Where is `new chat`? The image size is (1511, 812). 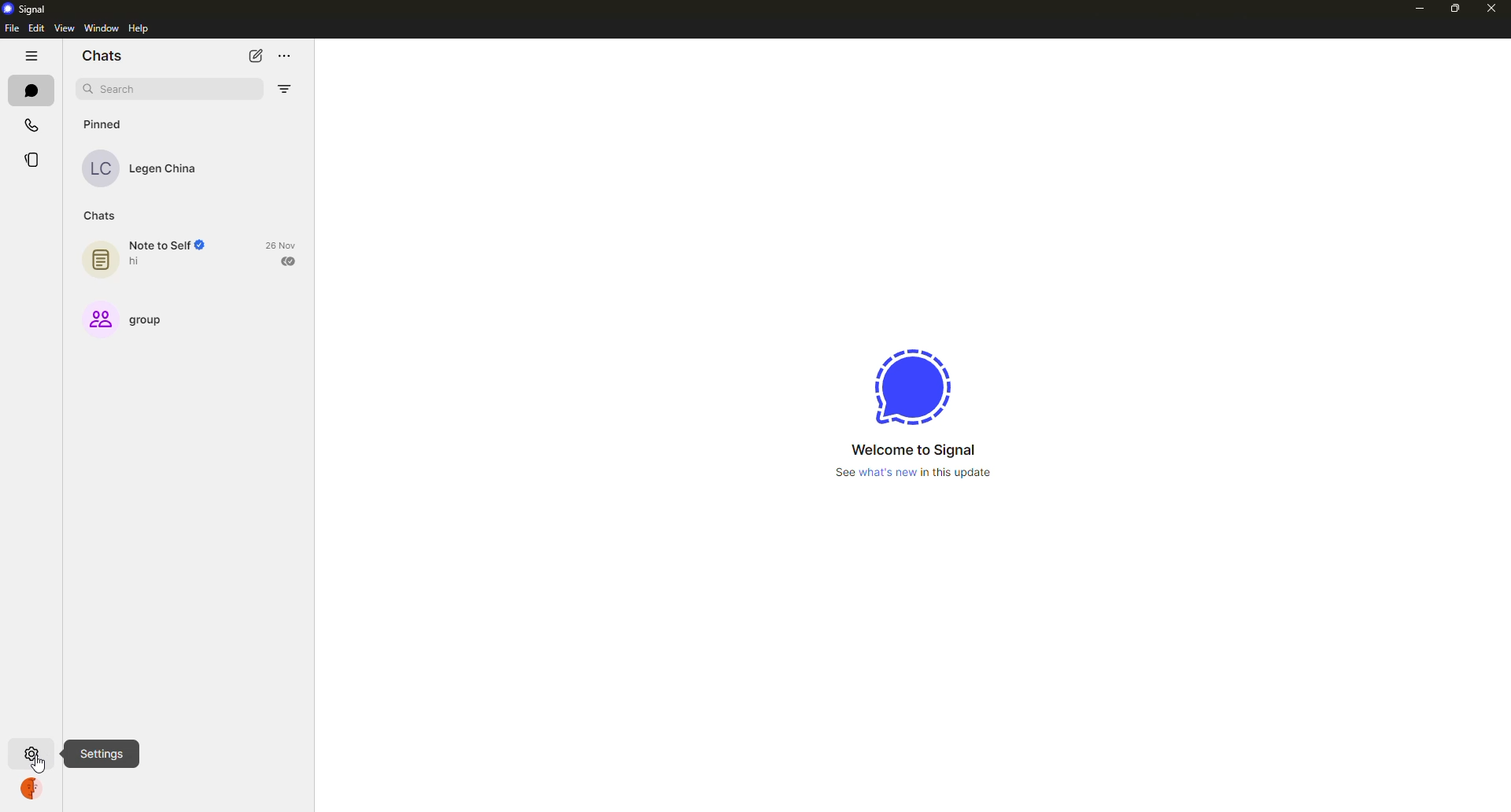
new chat is located at coordinates (255, 55).